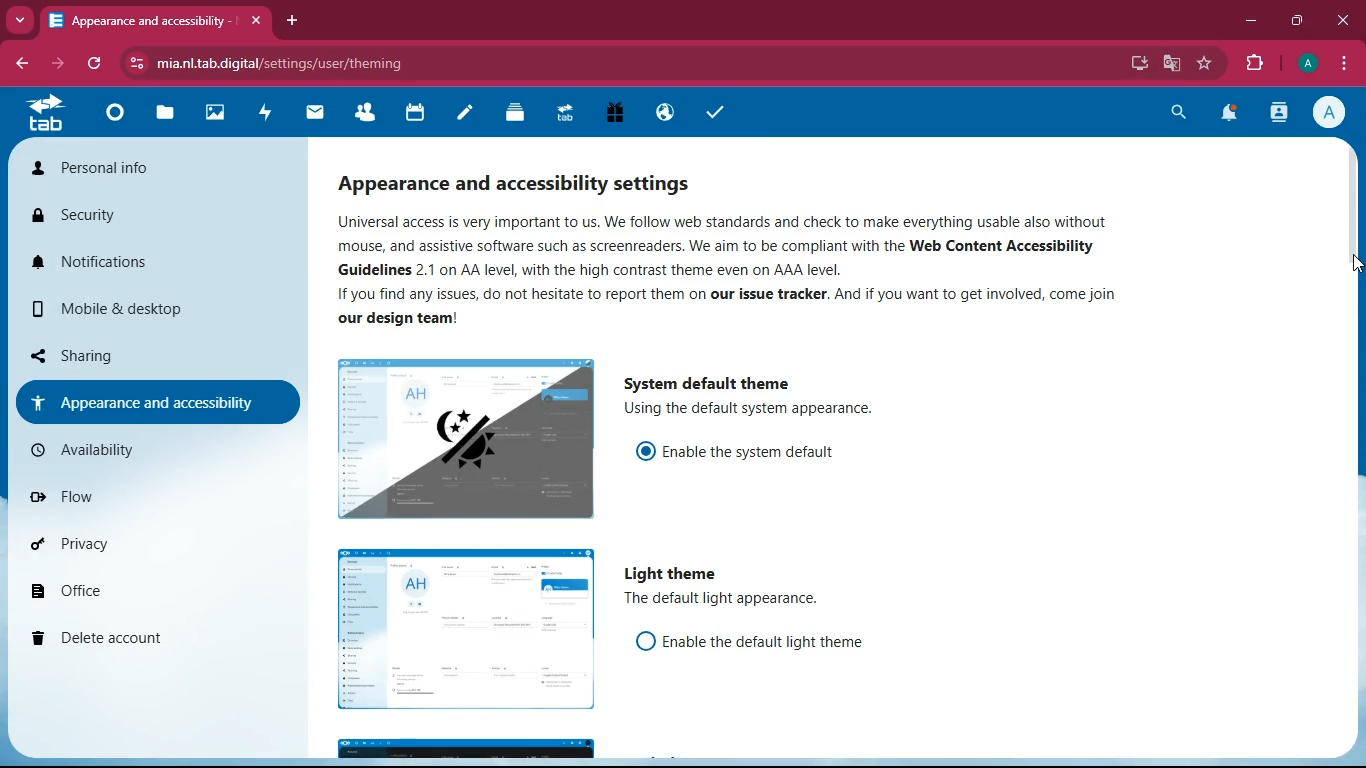  I want to click on favourite, so click(1205, 63).